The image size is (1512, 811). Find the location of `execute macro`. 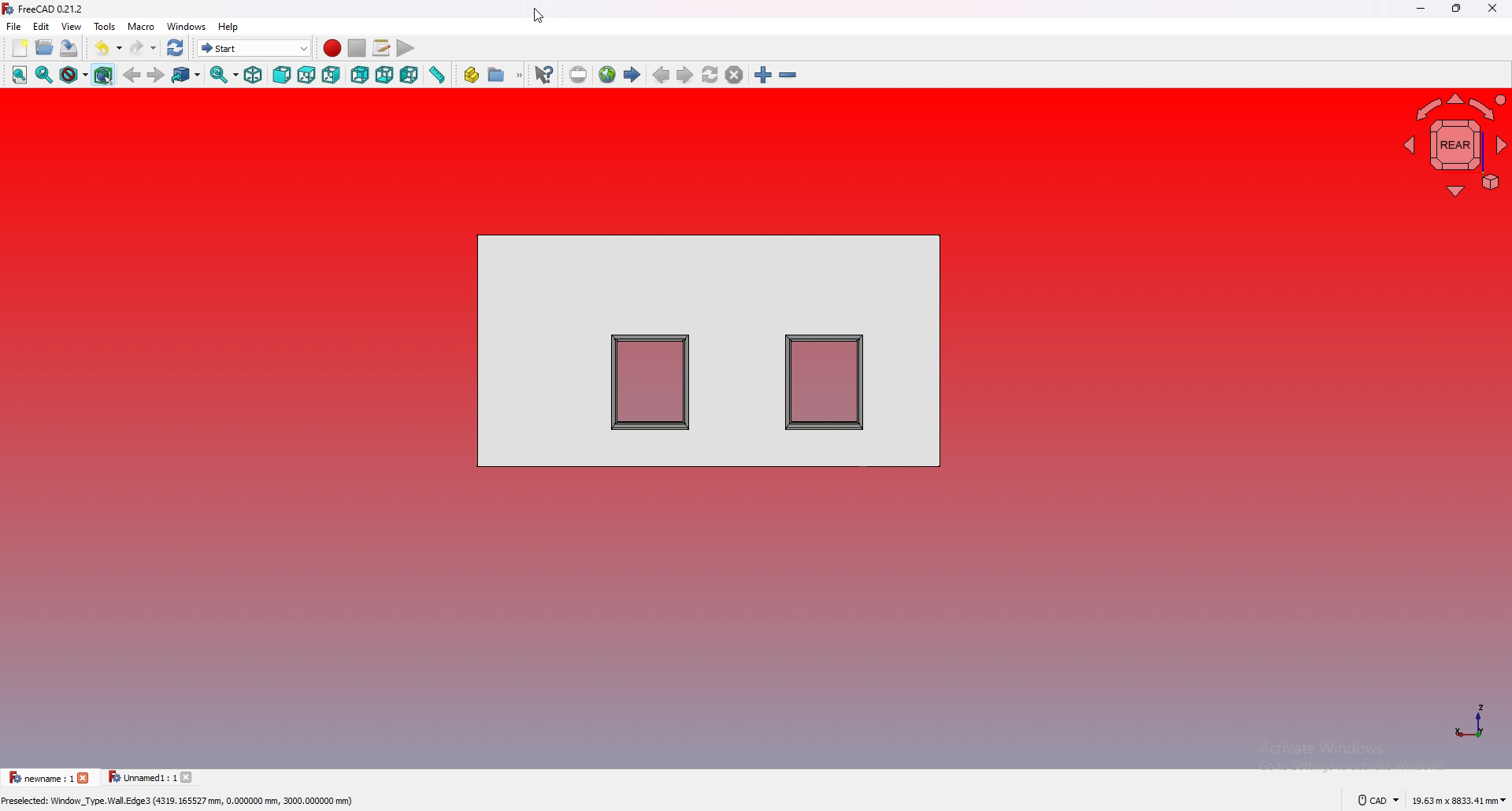

execute macro is located at coordinates (405, 48).